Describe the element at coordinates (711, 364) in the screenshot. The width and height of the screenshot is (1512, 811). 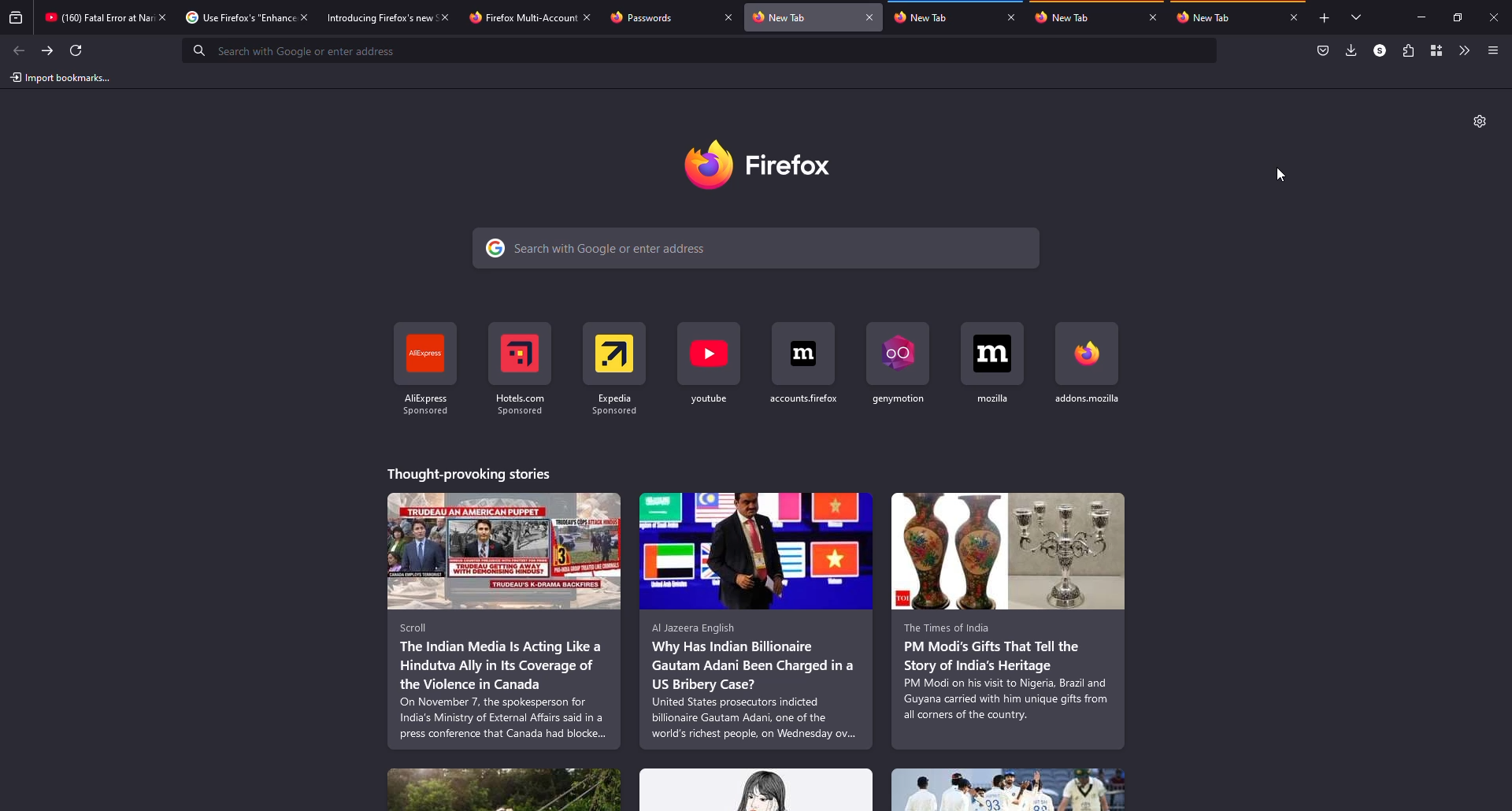
I see `shortcut` at that location.